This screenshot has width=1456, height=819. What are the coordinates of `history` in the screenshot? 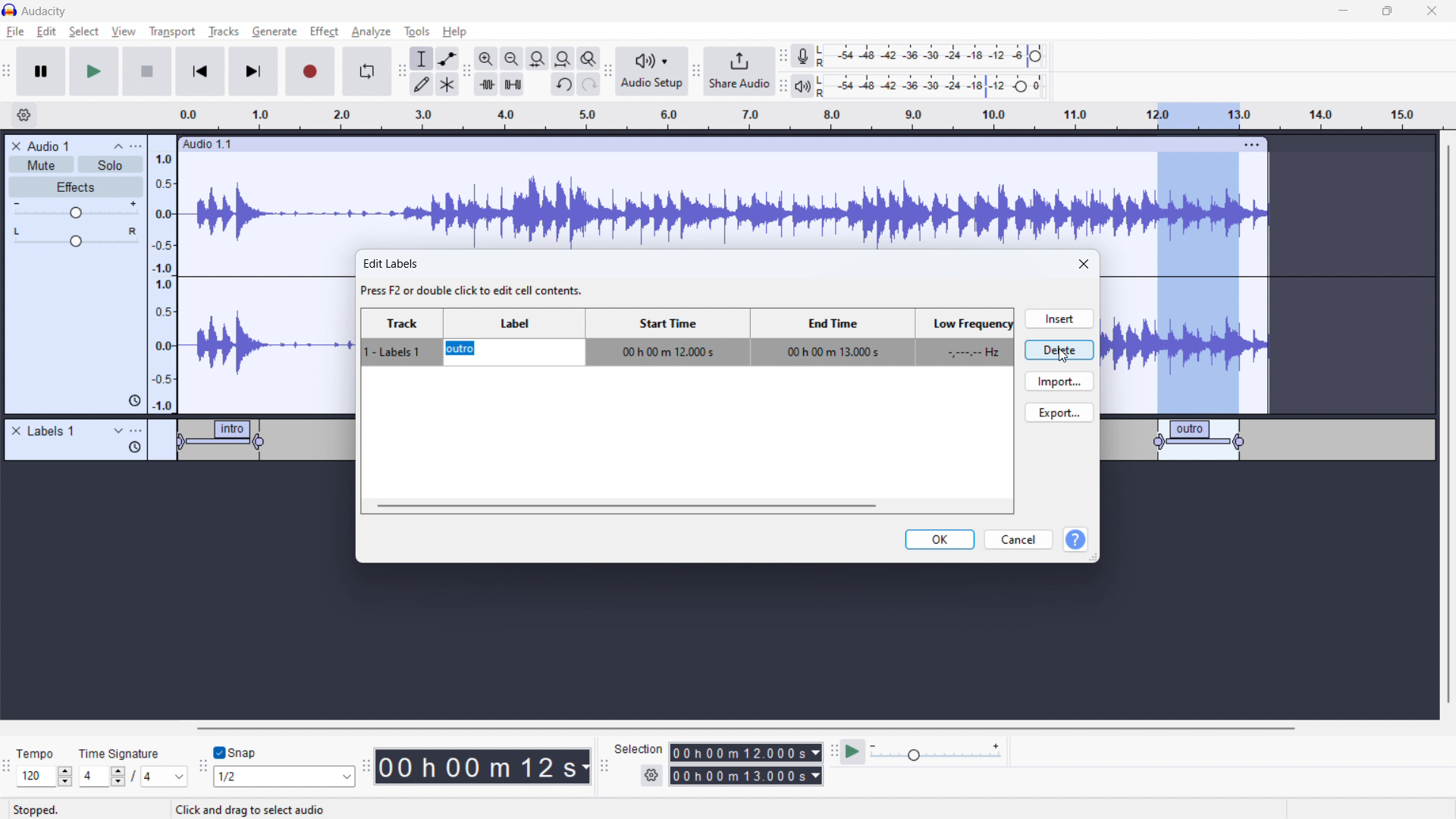 It's located at (134, 401).